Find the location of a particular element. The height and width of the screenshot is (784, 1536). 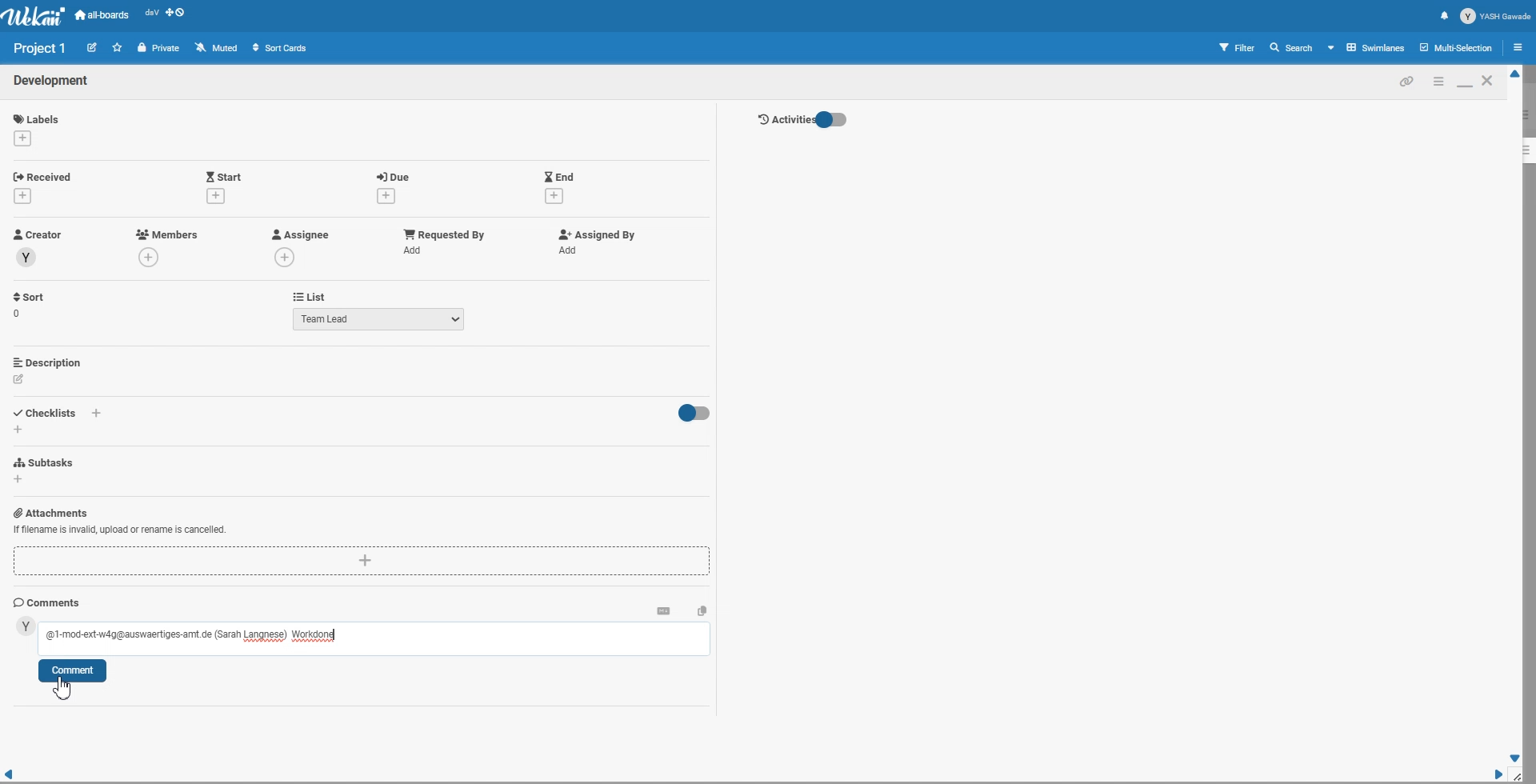

Add Start is located at coordinates (224, 175).